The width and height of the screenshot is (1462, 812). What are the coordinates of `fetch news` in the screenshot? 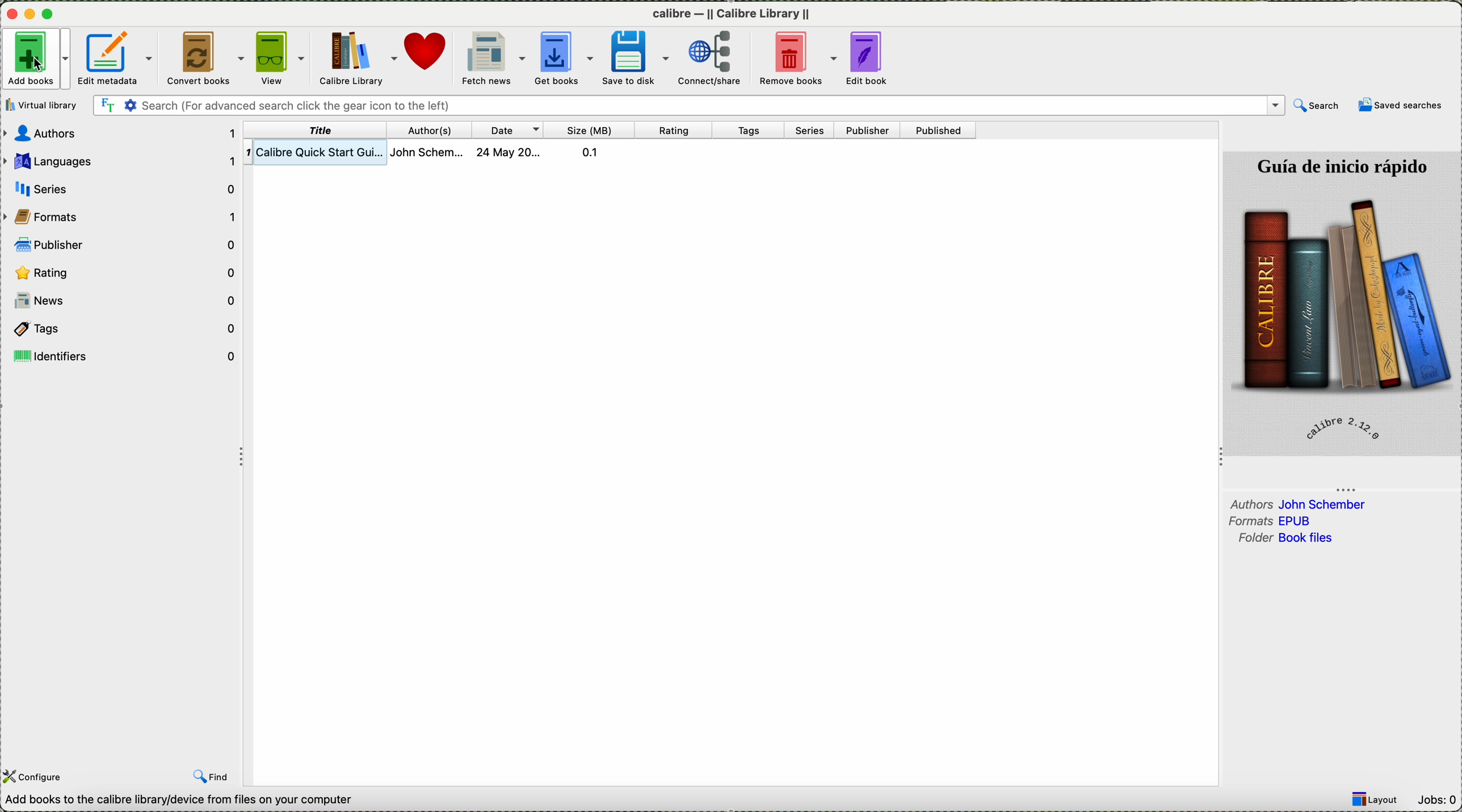 It's located at (493, 59).